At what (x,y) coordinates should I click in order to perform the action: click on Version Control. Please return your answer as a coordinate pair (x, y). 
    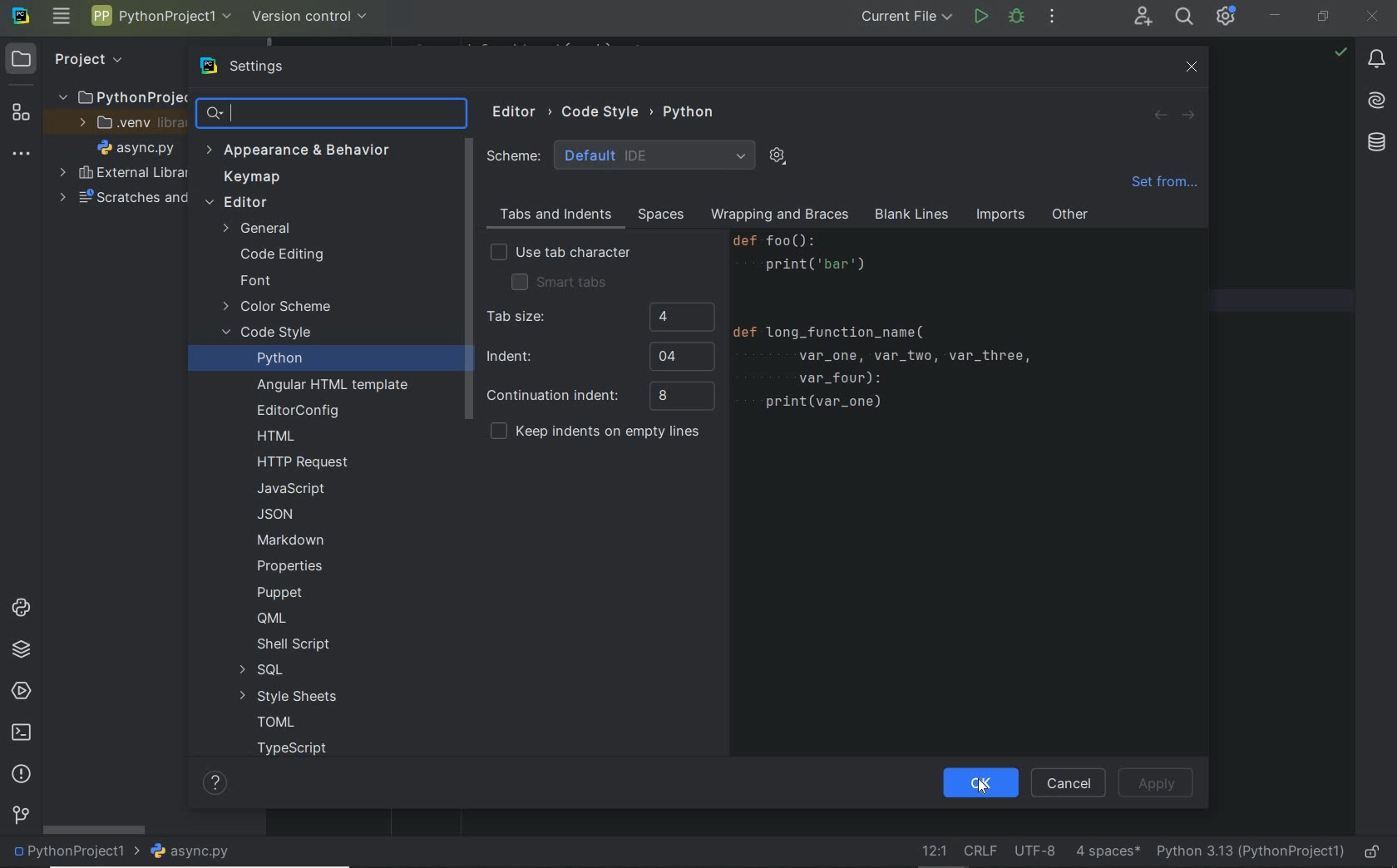
    Looking at the image, I should click on (310, 17).